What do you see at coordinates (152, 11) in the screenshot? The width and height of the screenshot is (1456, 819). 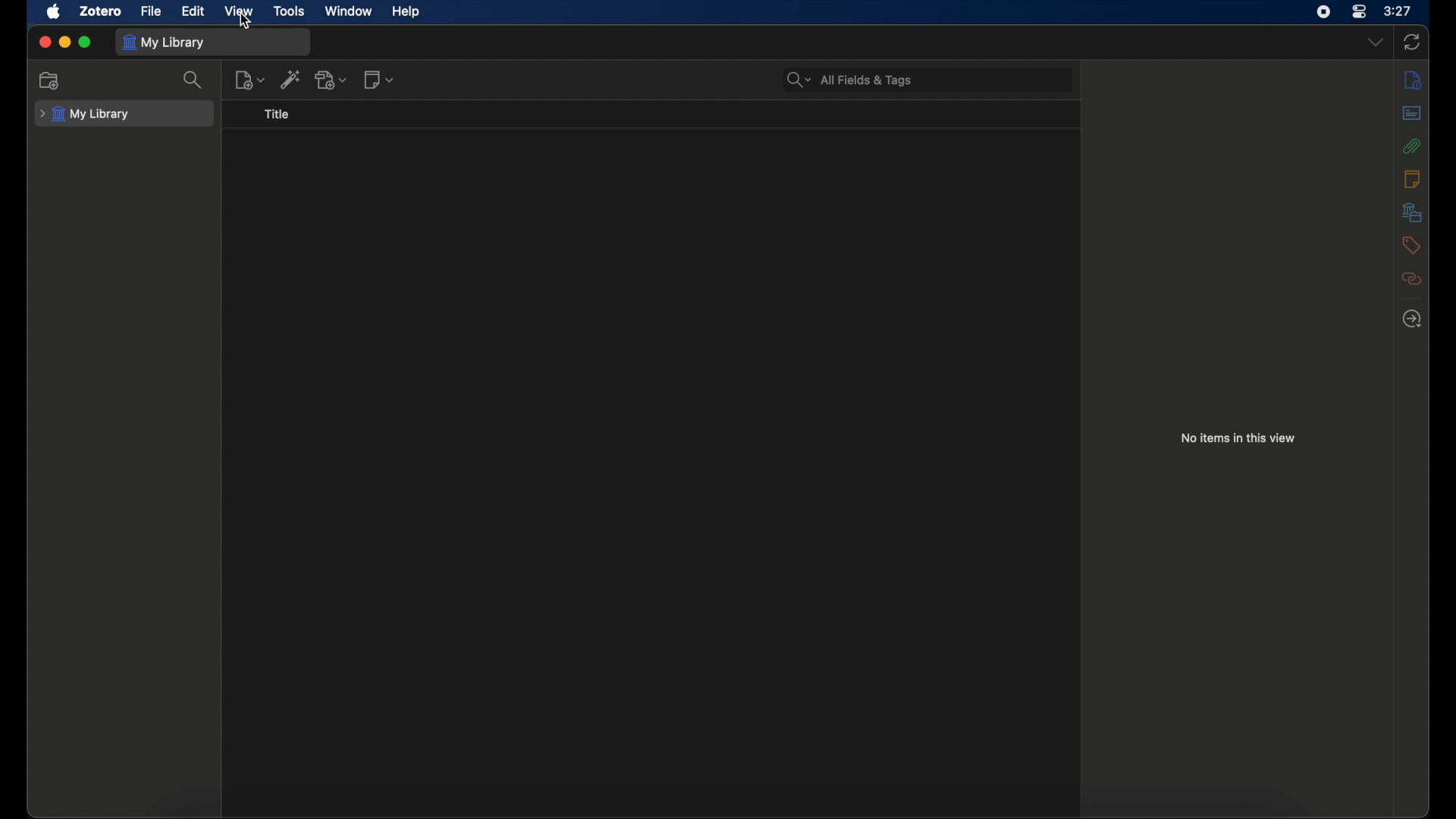 I see `file` at bounding box center [152, 11].